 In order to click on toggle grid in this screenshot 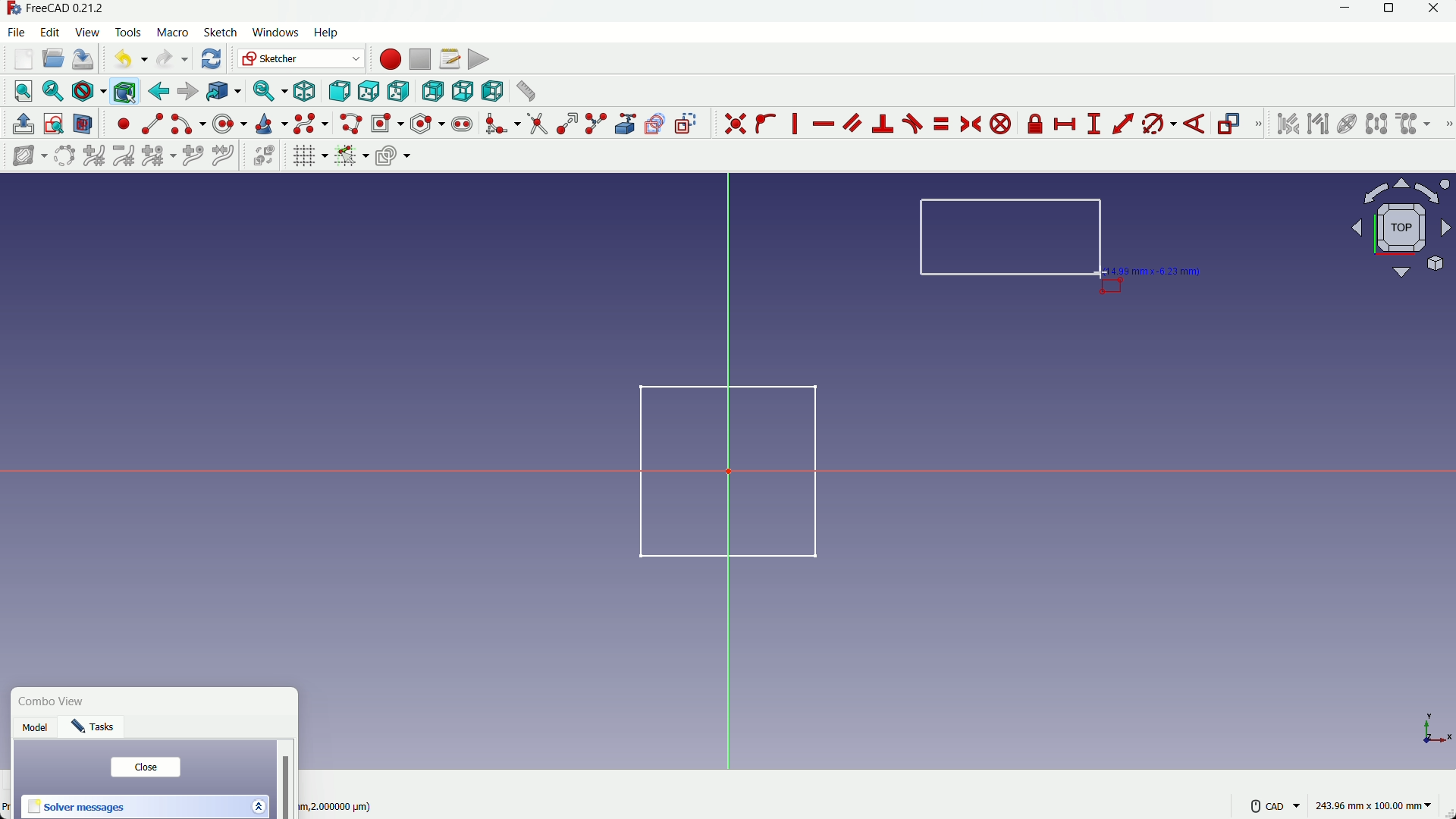, I will do `click(309, 155)`.